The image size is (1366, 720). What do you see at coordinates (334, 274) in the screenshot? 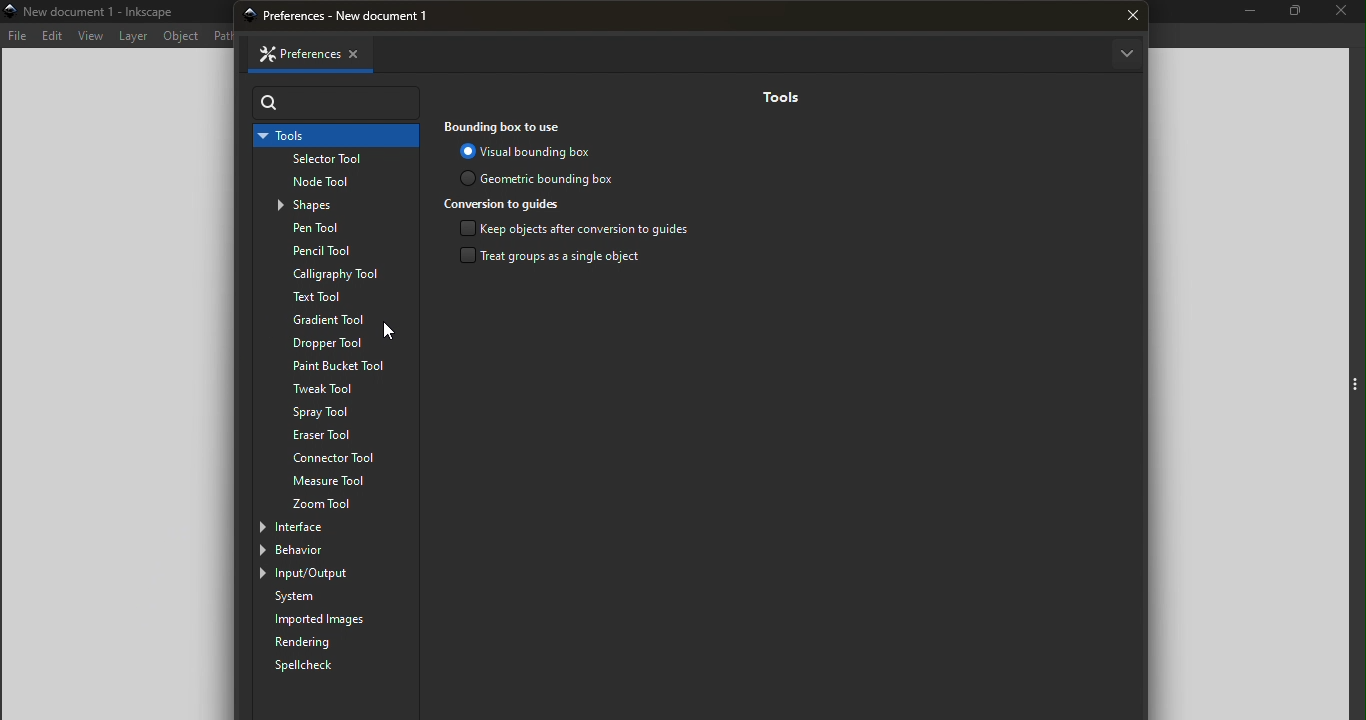
I see `Calligraphy tool` at bounding box center [334, 274].